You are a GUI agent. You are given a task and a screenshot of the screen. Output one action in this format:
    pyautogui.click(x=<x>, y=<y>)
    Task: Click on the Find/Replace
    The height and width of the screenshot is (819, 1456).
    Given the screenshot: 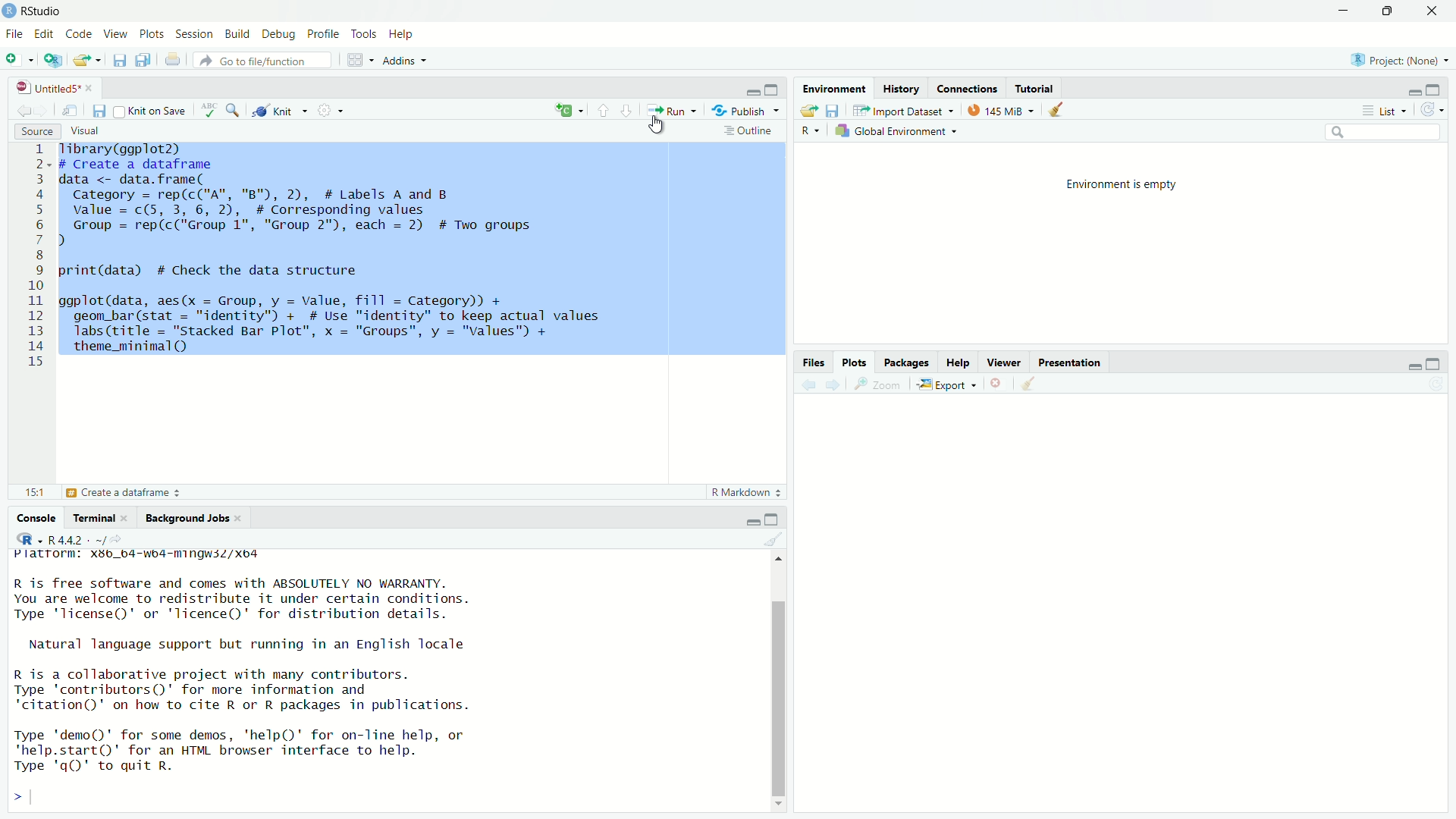 What is the action you would take?
    pyautogui.click(x=233, y=108)
    